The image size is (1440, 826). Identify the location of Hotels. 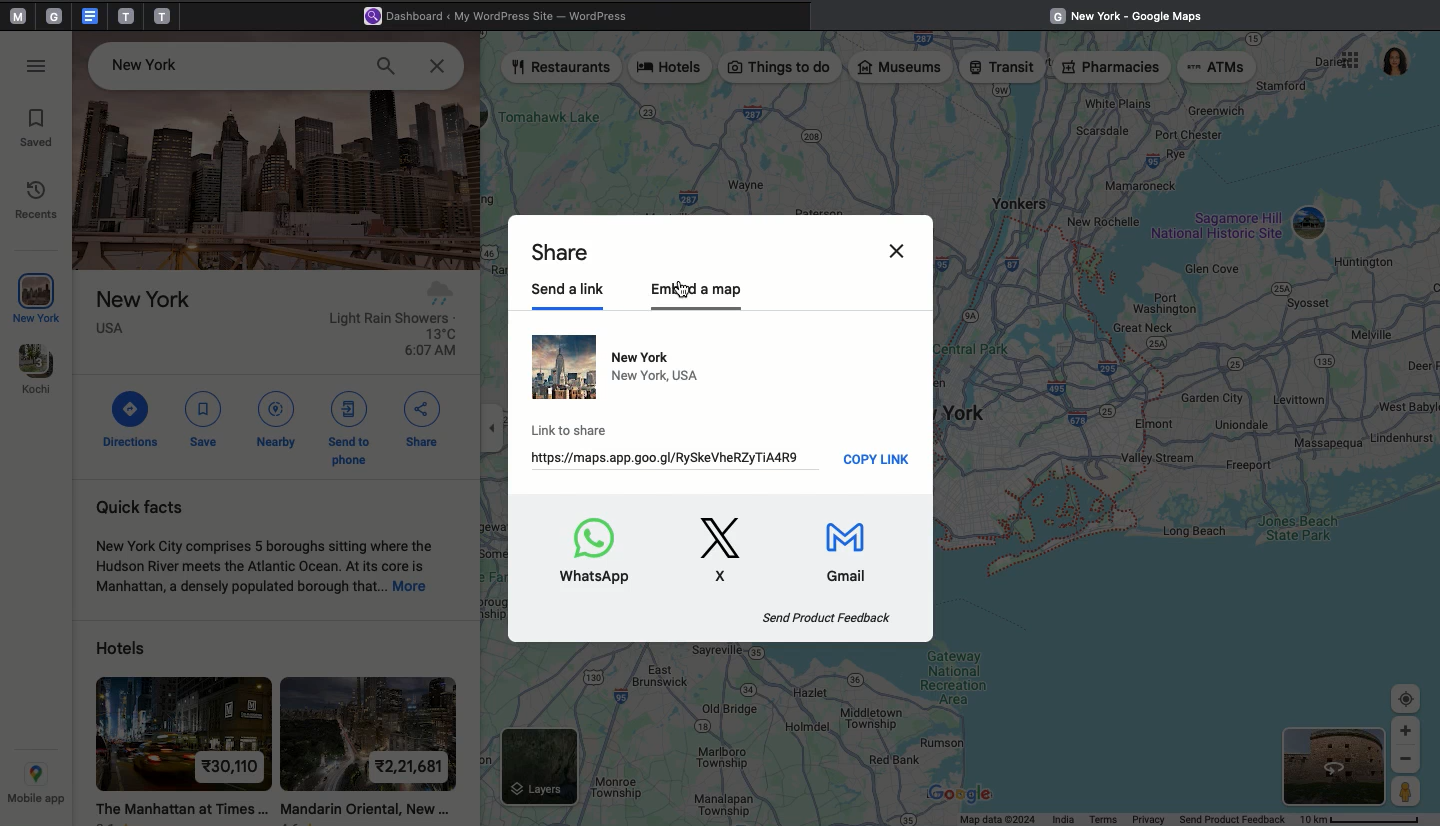
(170, 645).